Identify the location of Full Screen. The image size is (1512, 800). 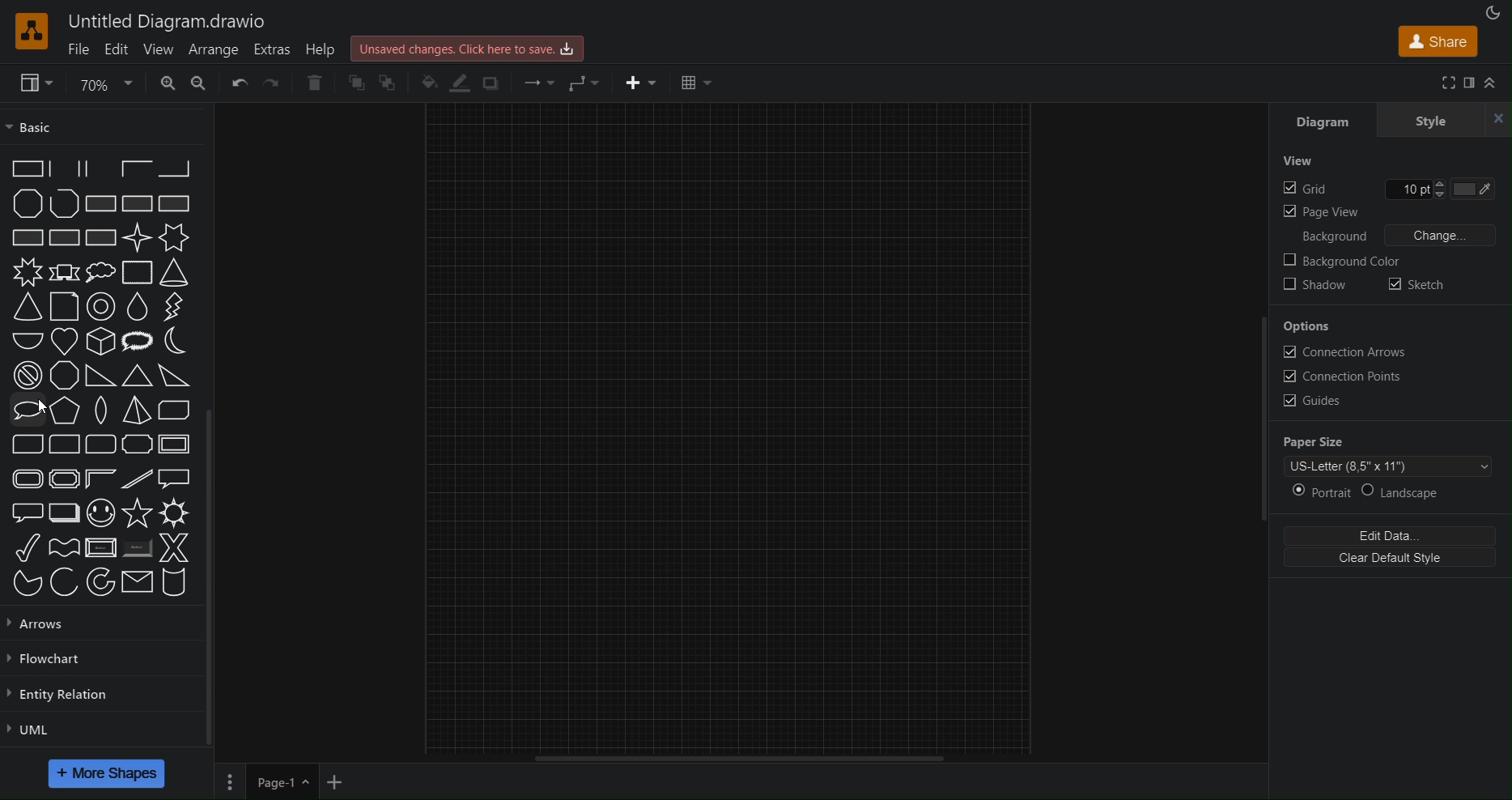
(1448, 83).